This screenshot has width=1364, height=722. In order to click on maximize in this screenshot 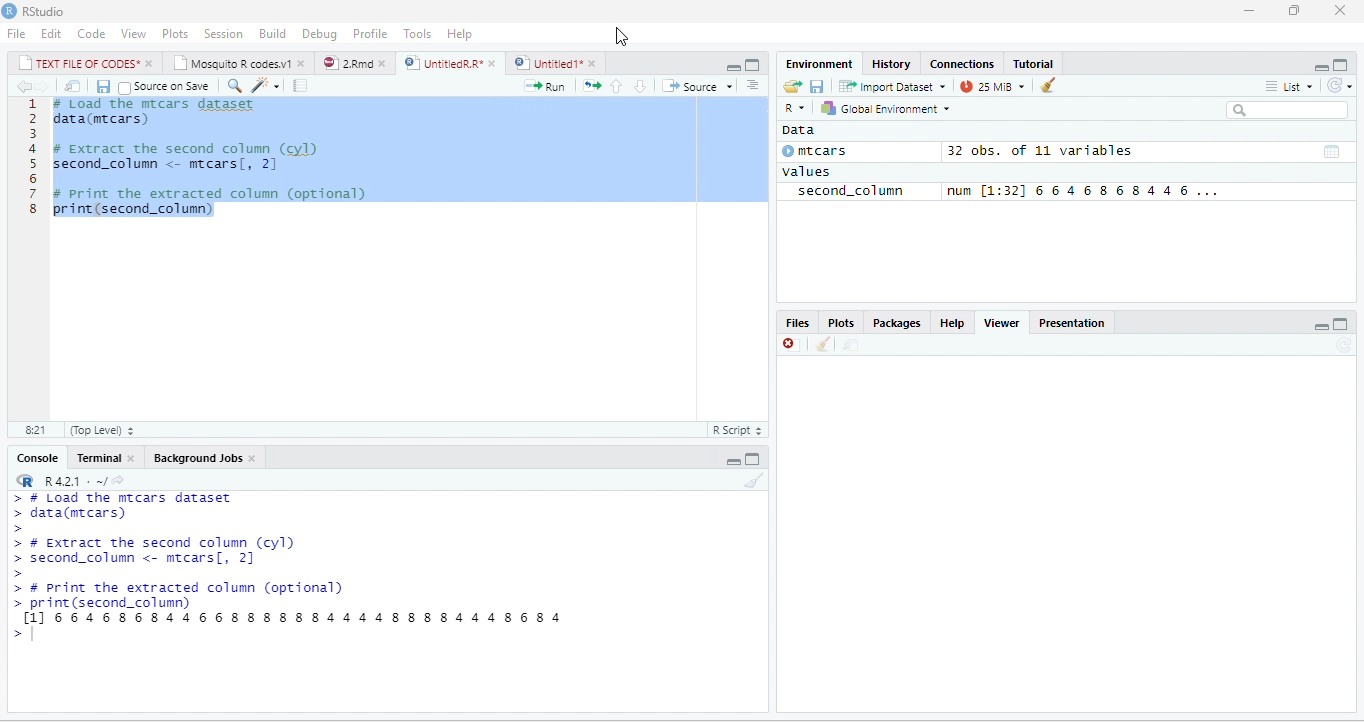, I will do `click(754, 457)`.